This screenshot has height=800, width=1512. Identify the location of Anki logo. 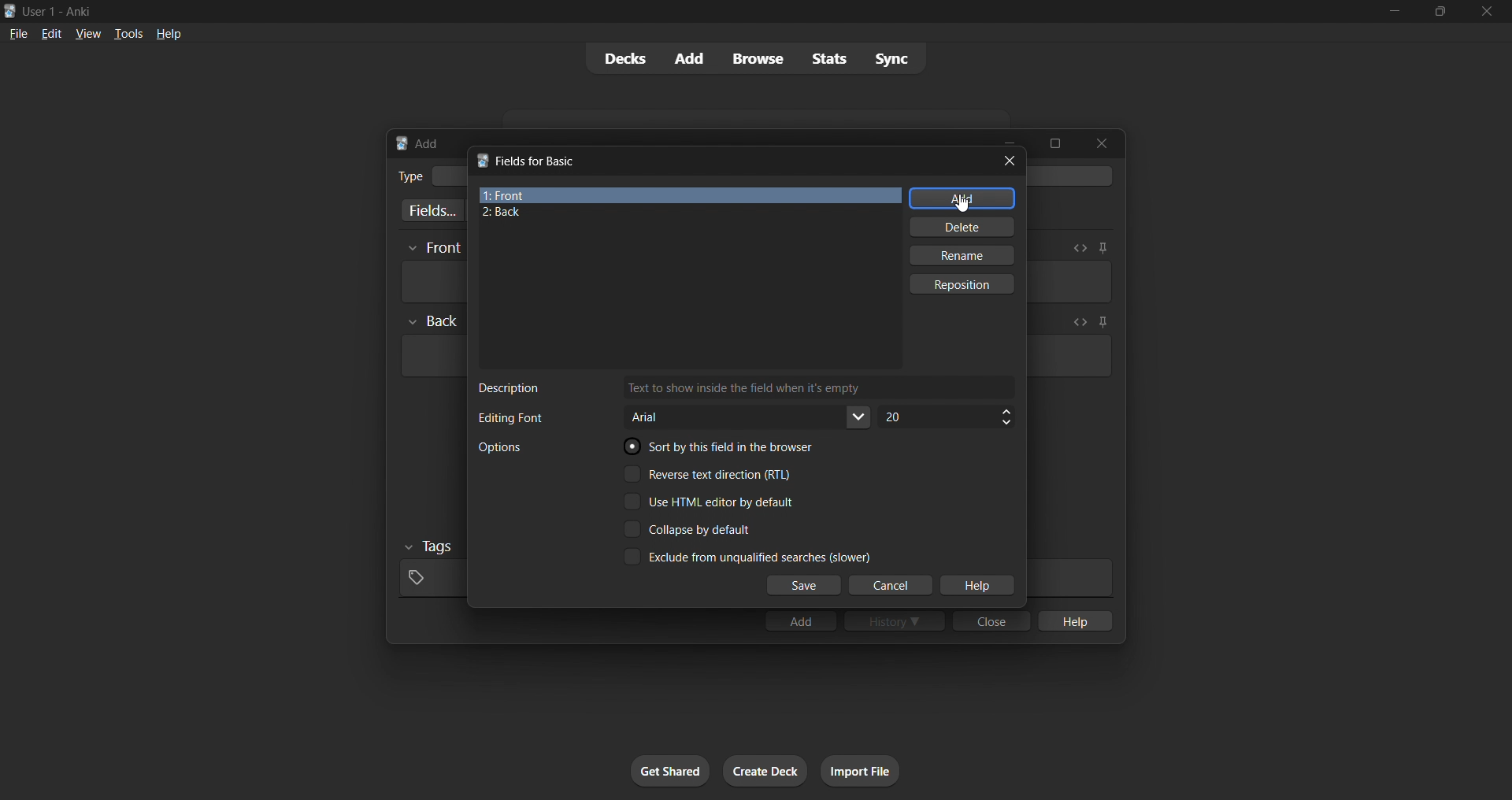
(10, 11).